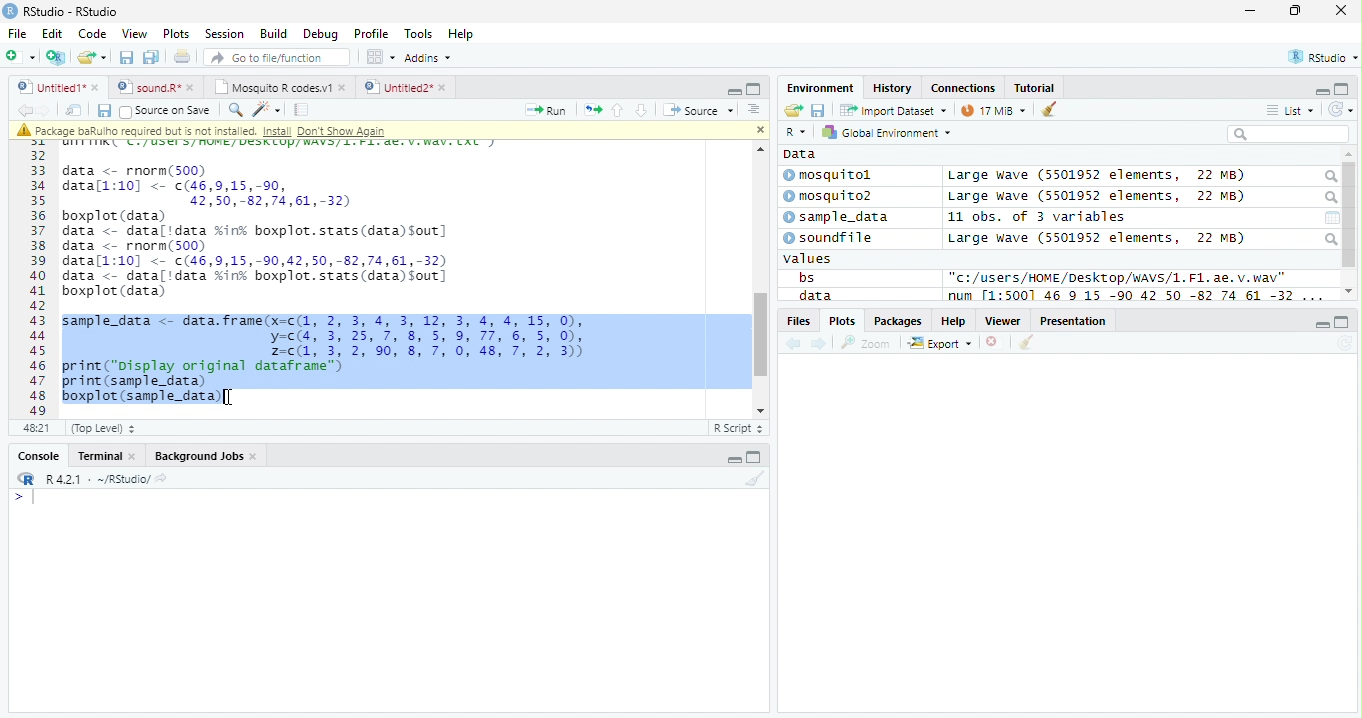 The height and width of the screenshot is (718, 1362). Describe the element at coordinates (1096, 238) in the screenshot. I see `Large wave (5501952 elements, 22 MB)` at that location.